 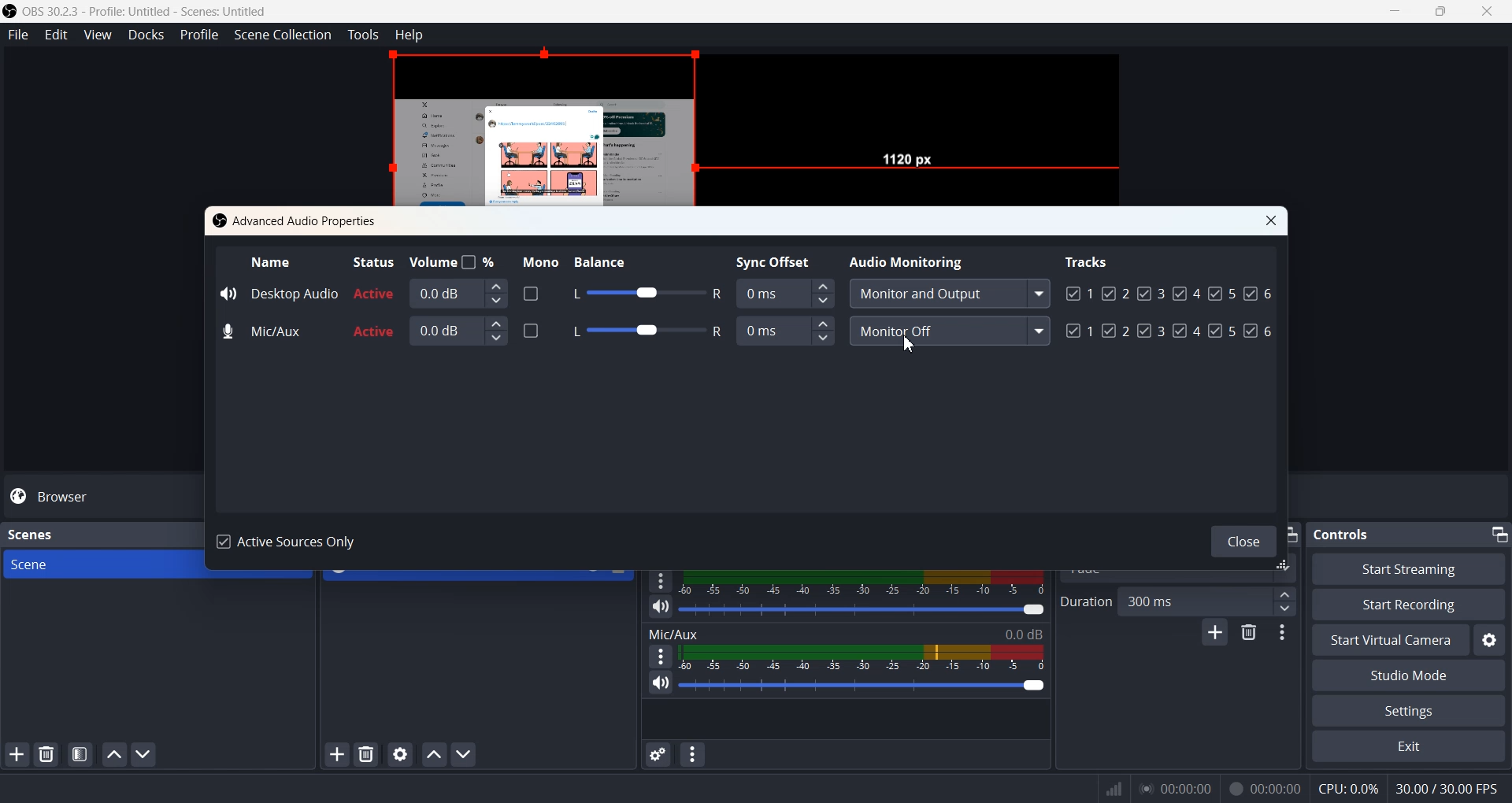 I want to click on Tools, so click(x=364, y=35).